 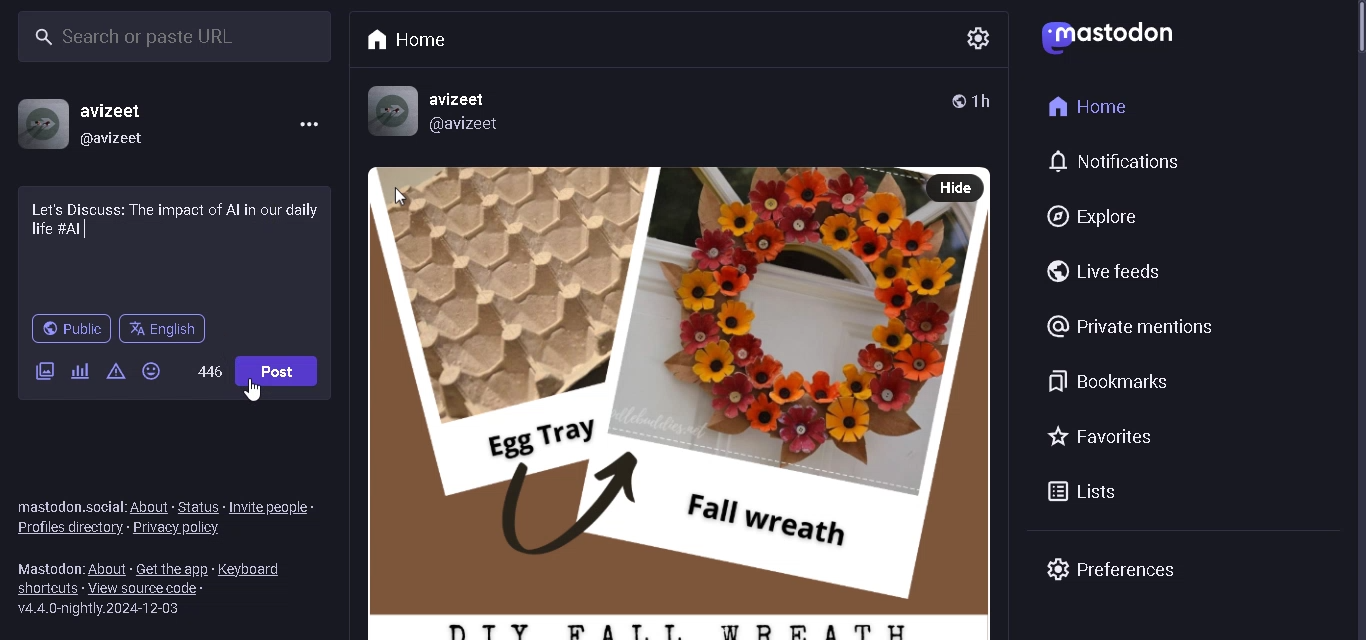 I want to click on HIDE, so click(x=951, y=189).